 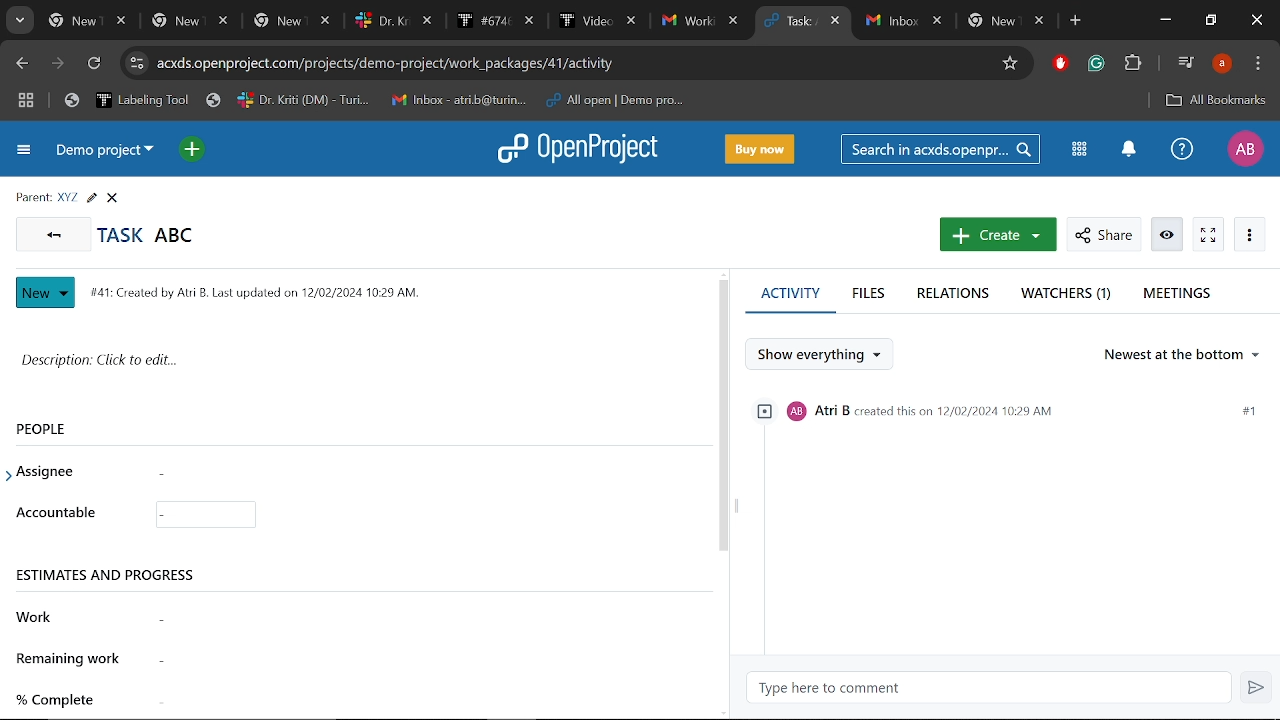 I want to click on Control your music, videos and more, so click(x=1184, y=63).